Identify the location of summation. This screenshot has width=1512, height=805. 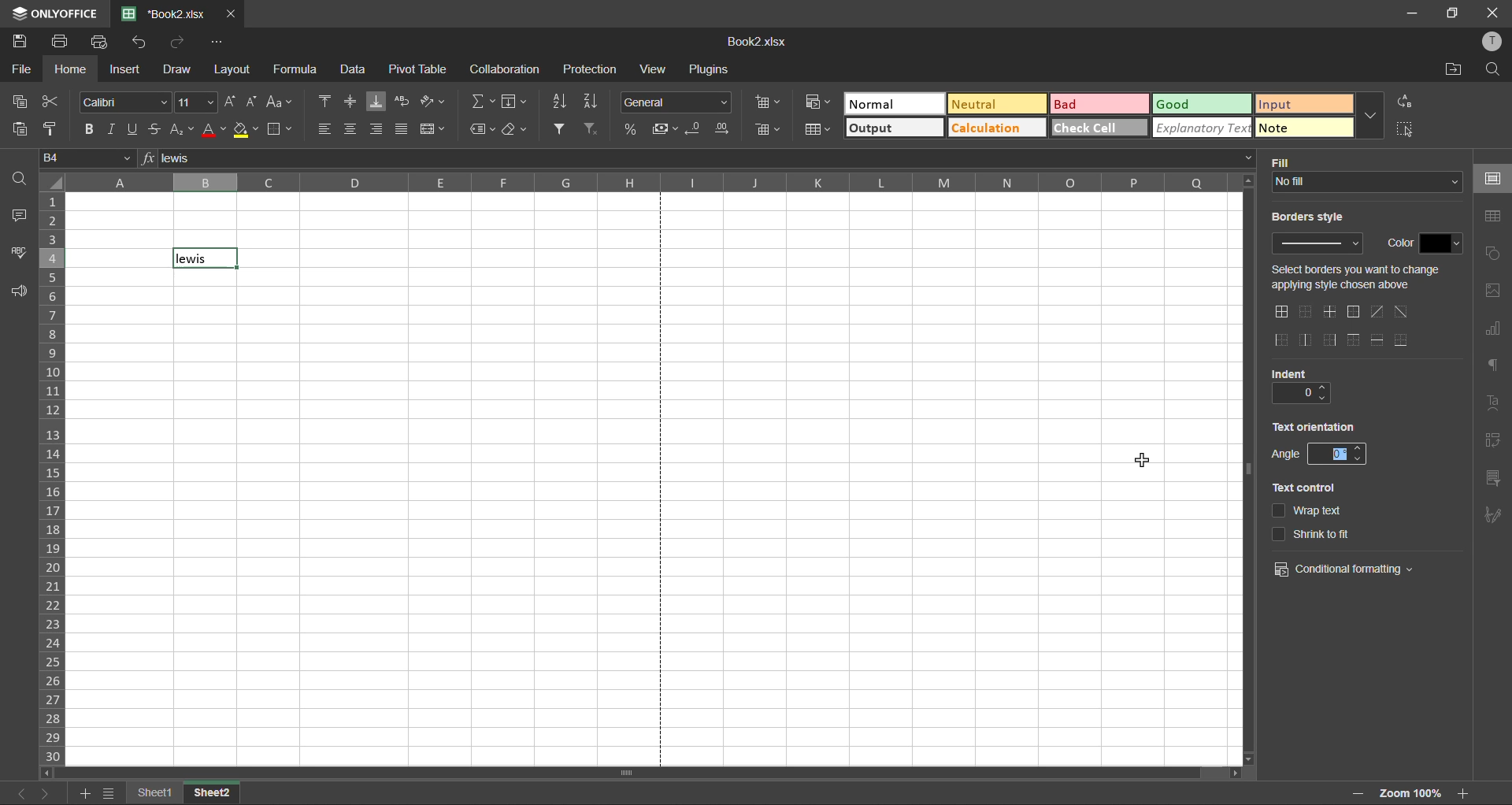
(481, 102).